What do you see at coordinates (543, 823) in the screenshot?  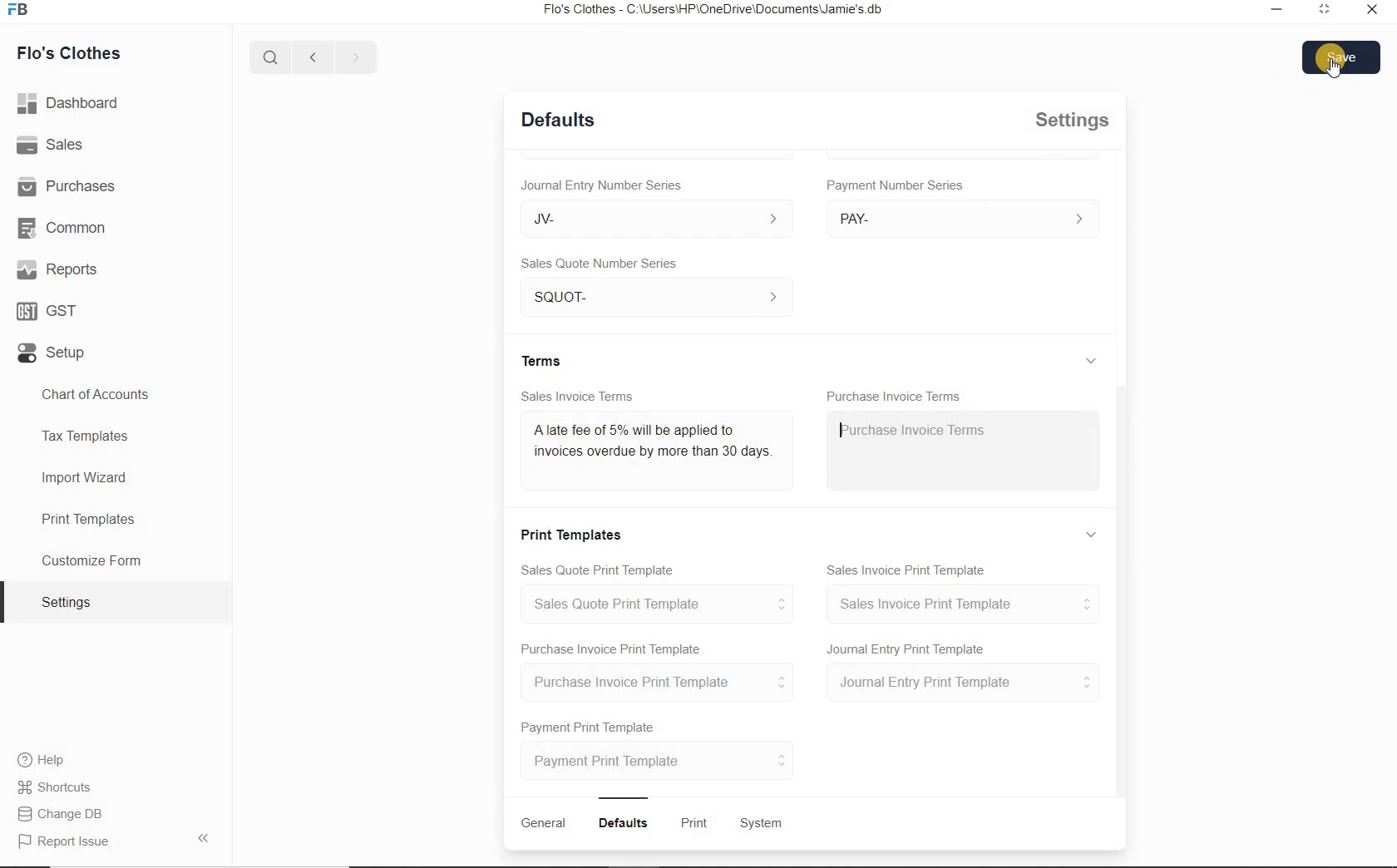 I see `General` at bounding box center [543, 823].